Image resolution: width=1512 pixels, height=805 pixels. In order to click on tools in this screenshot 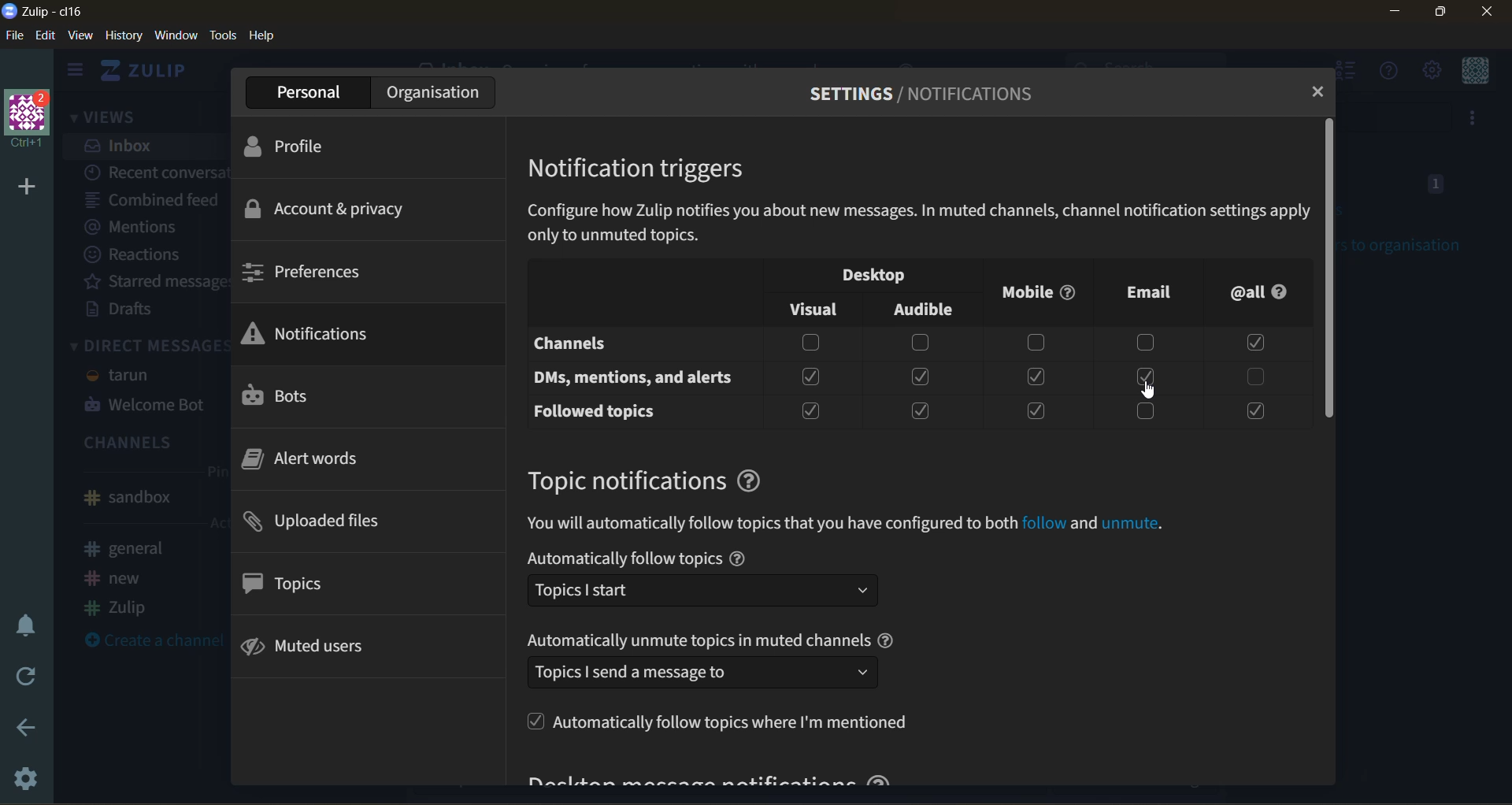, I will do `click(224, 38)`.